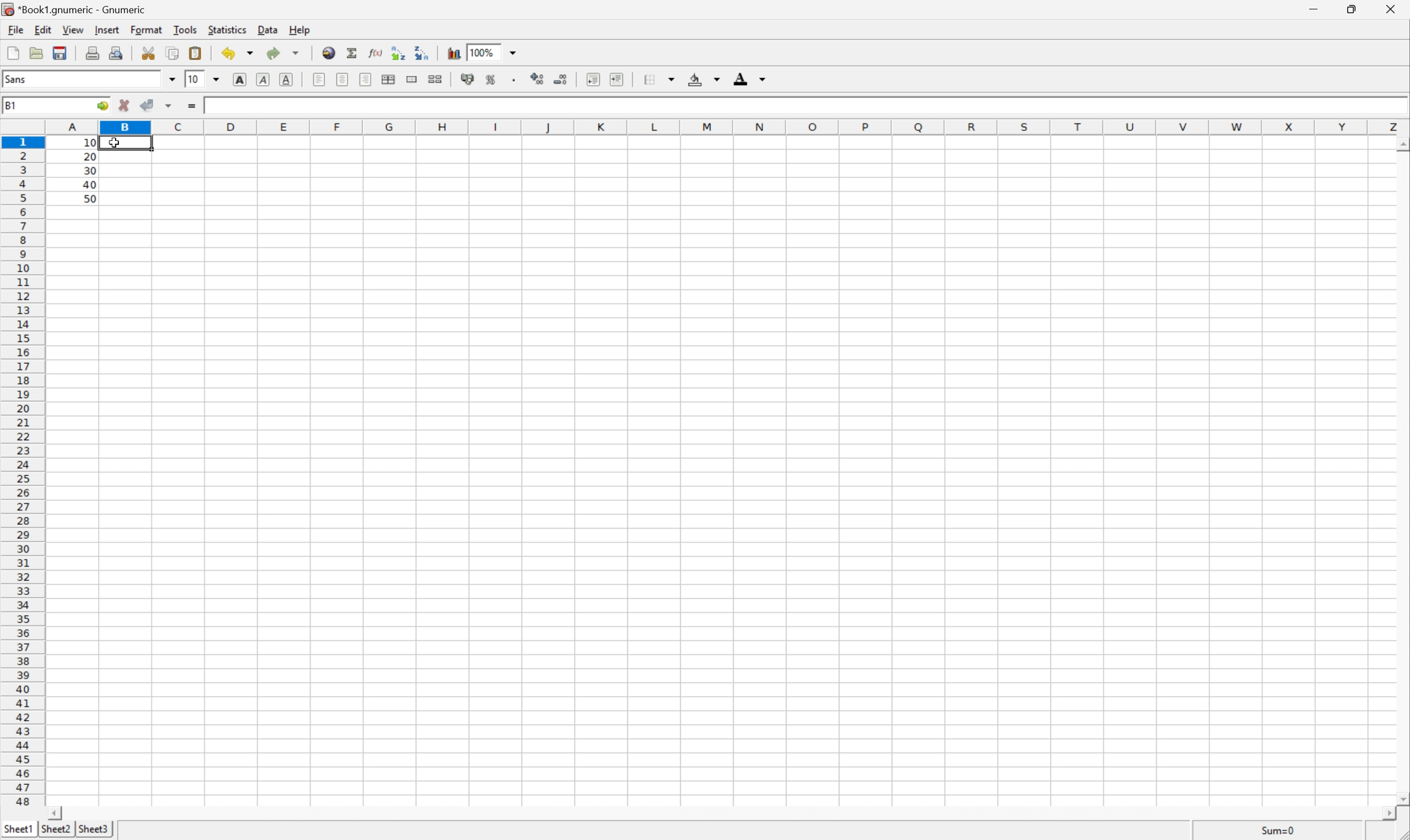 Image resolution: width=1410 pixels, height=840 pixels. I want to click on Sans, so click(19, 79).